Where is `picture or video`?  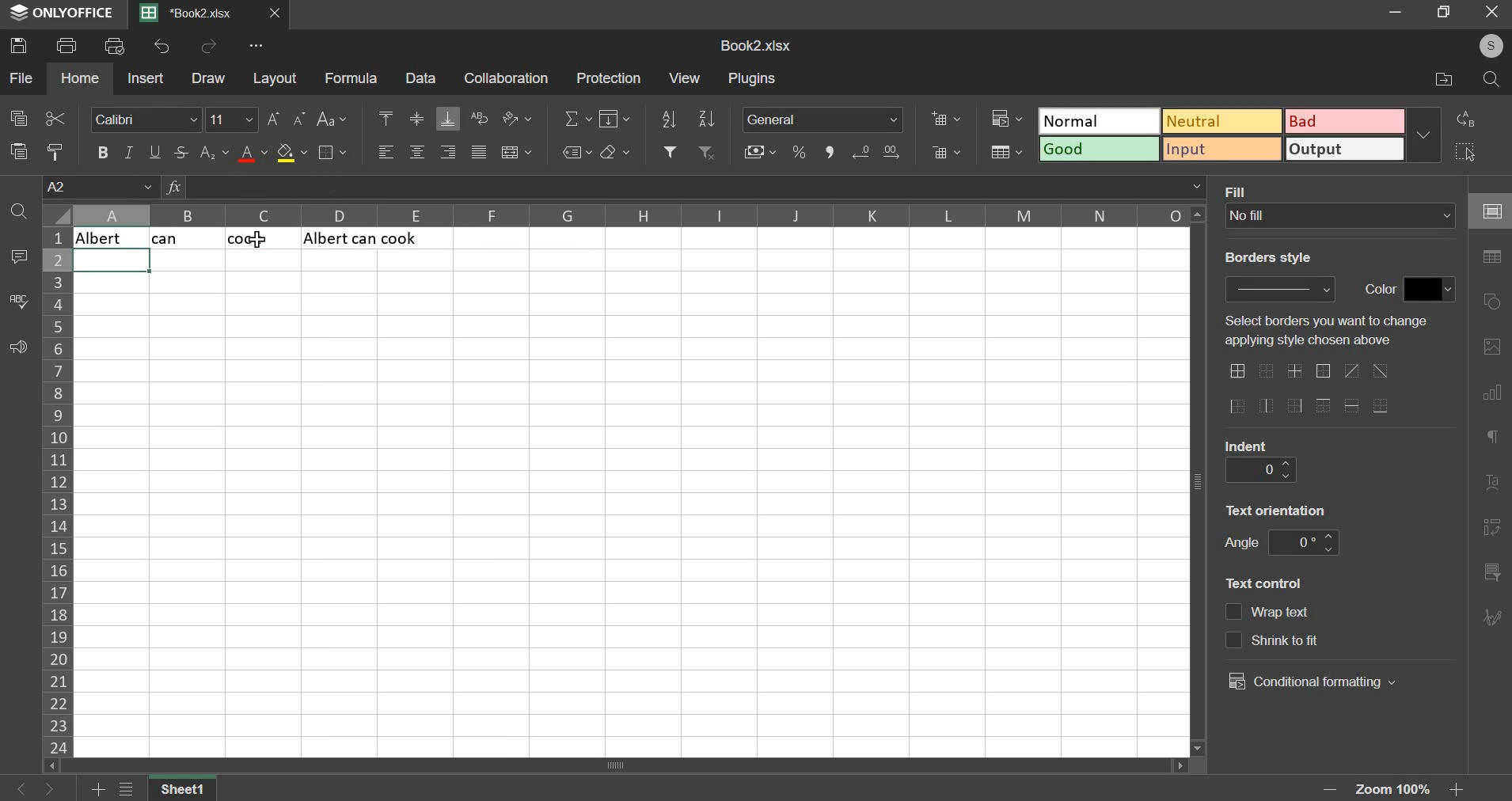
picture or video is located at coordinates (1491, 348).